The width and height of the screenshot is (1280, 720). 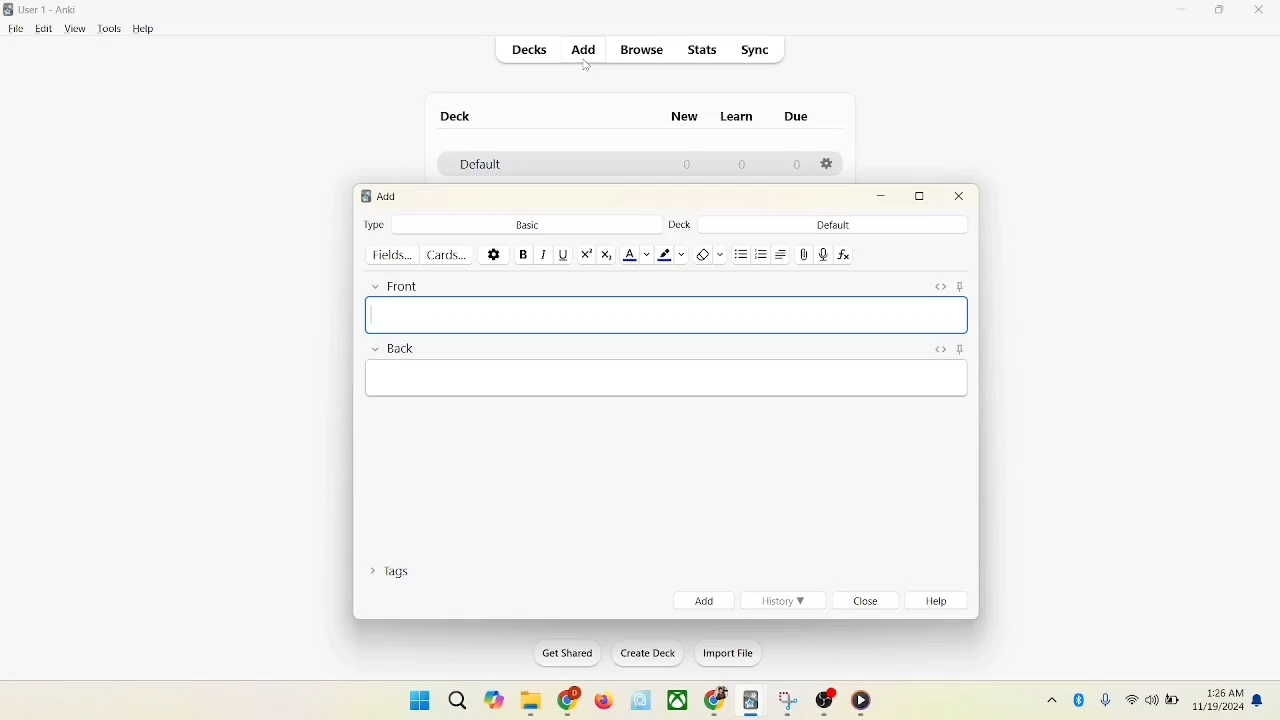 I want to click on battery, so click(x=1172, y=702).